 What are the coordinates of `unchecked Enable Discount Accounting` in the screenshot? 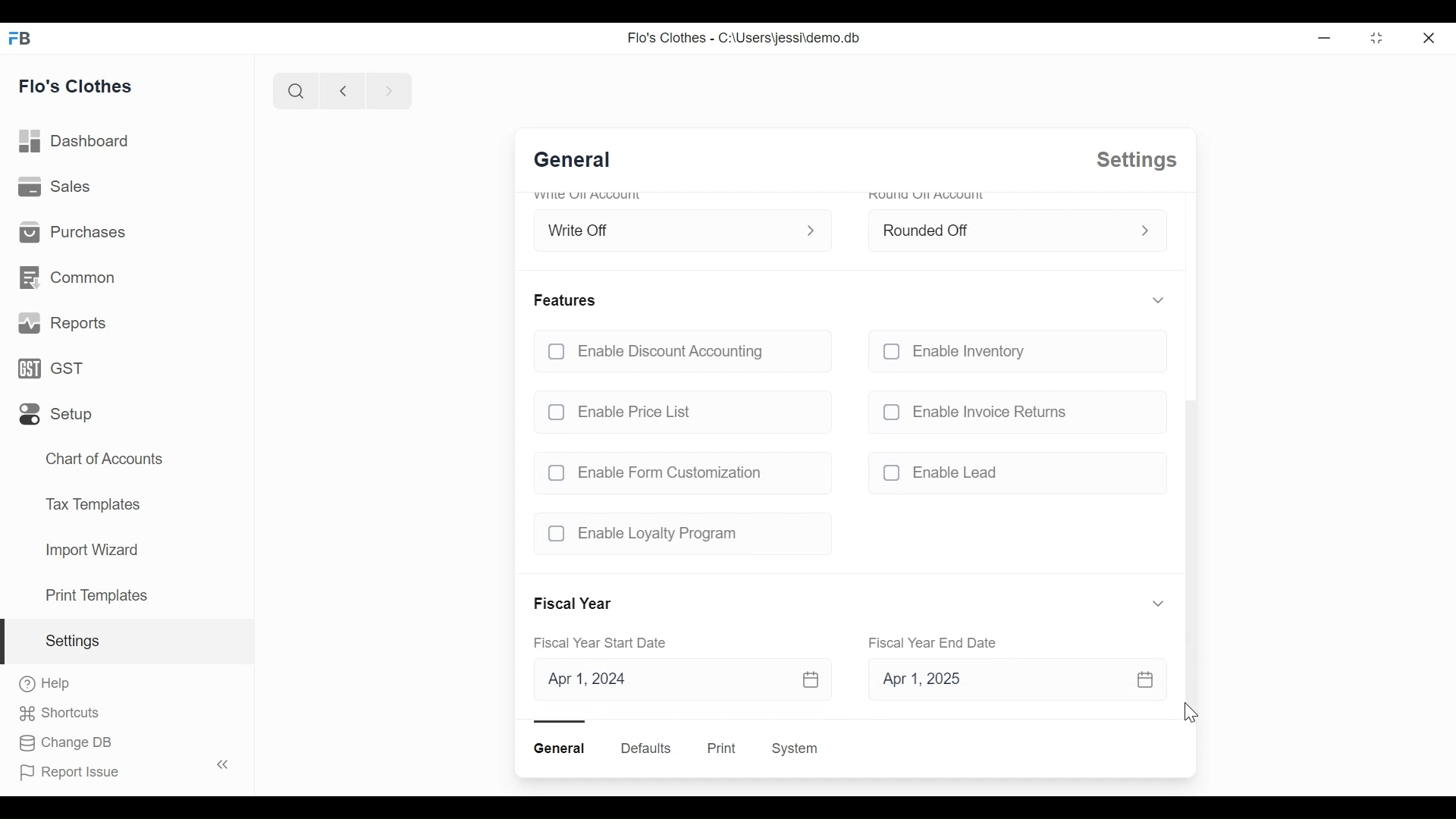 It's located at (680, 353).